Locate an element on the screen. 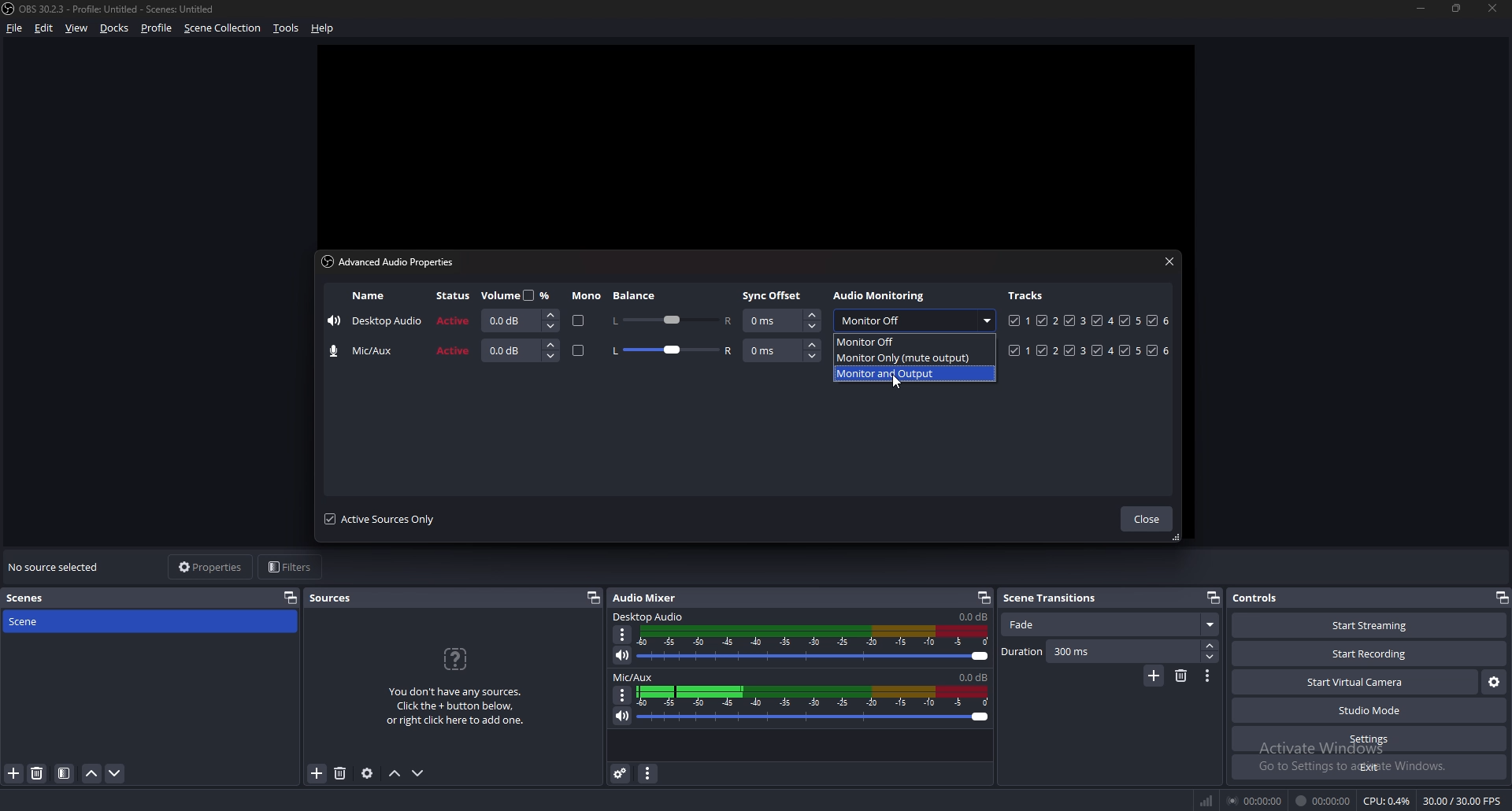  mono is located at coordinates (576, 321).